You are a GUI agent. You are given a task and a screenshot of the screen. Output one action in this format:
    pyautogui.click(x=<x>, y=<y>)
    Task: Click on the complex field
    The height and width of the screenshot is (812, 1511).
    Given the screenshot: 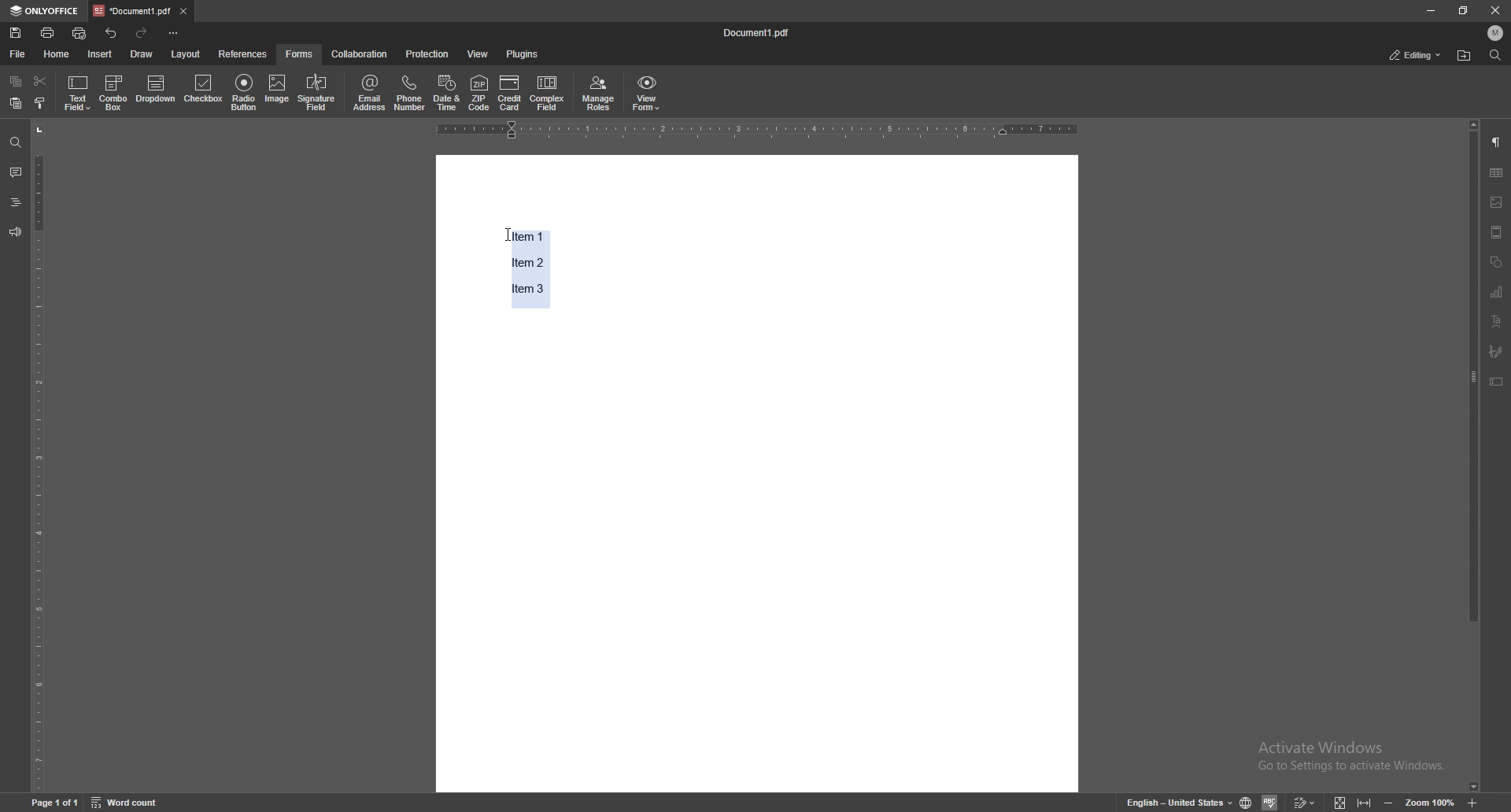 What is the action you would take?
    pyautogui.click(x=548, y=94)
    